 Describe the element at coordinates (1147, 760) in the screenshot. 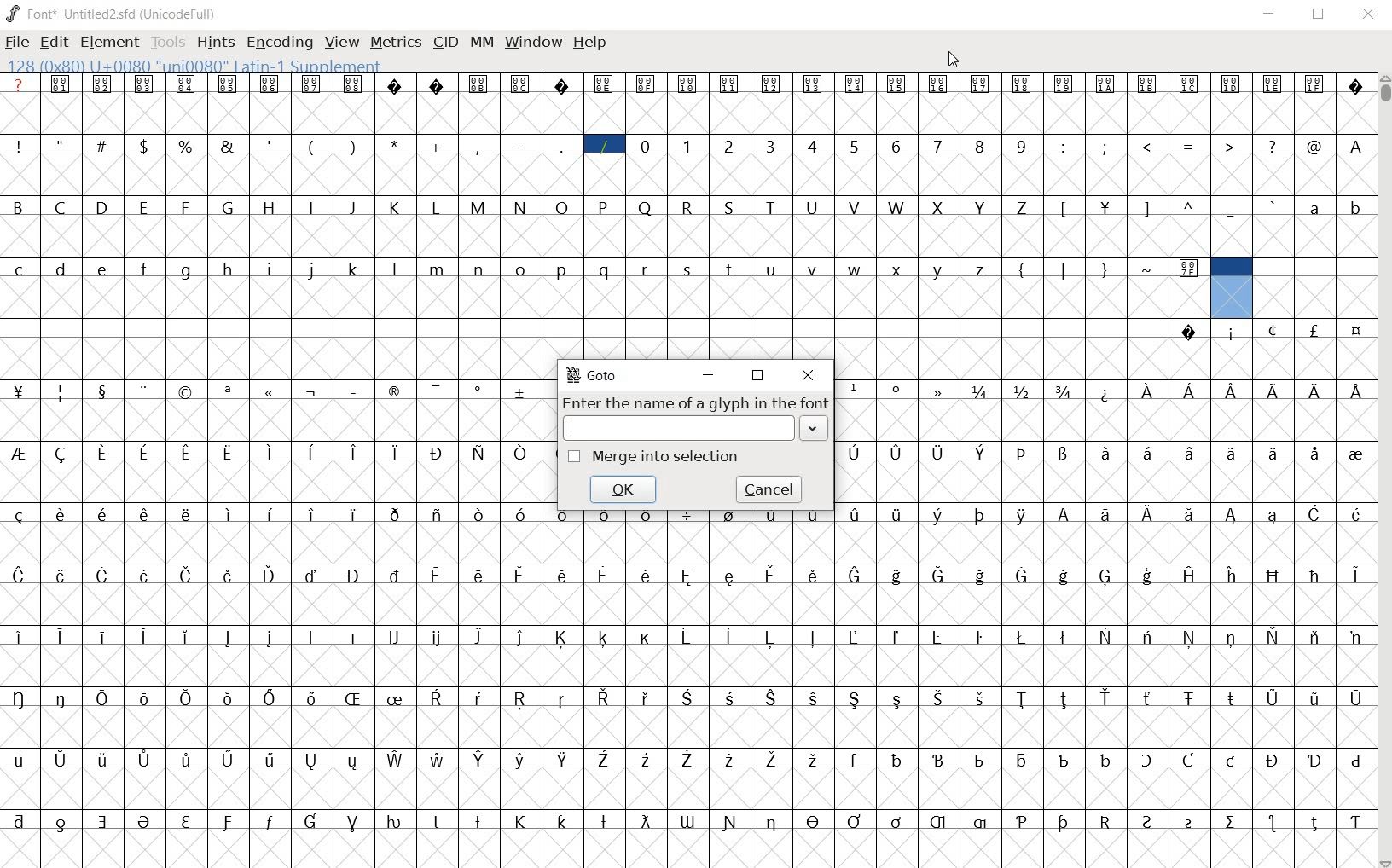

I see `Symbol` at that location.